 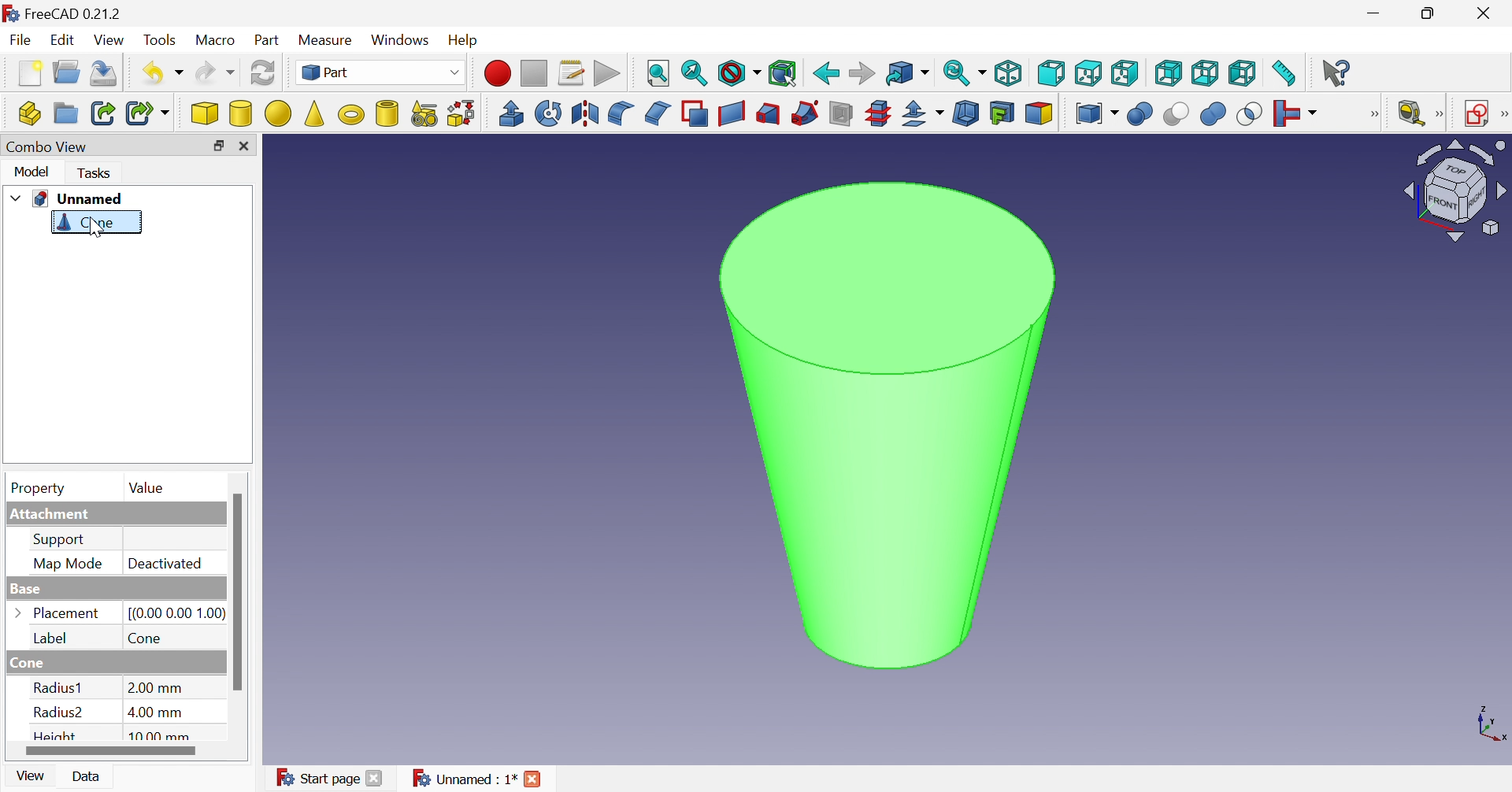 What do you see at coordinates (161, 37) in the screenshot?
I see `Tools` at bounding box center [161, 37].